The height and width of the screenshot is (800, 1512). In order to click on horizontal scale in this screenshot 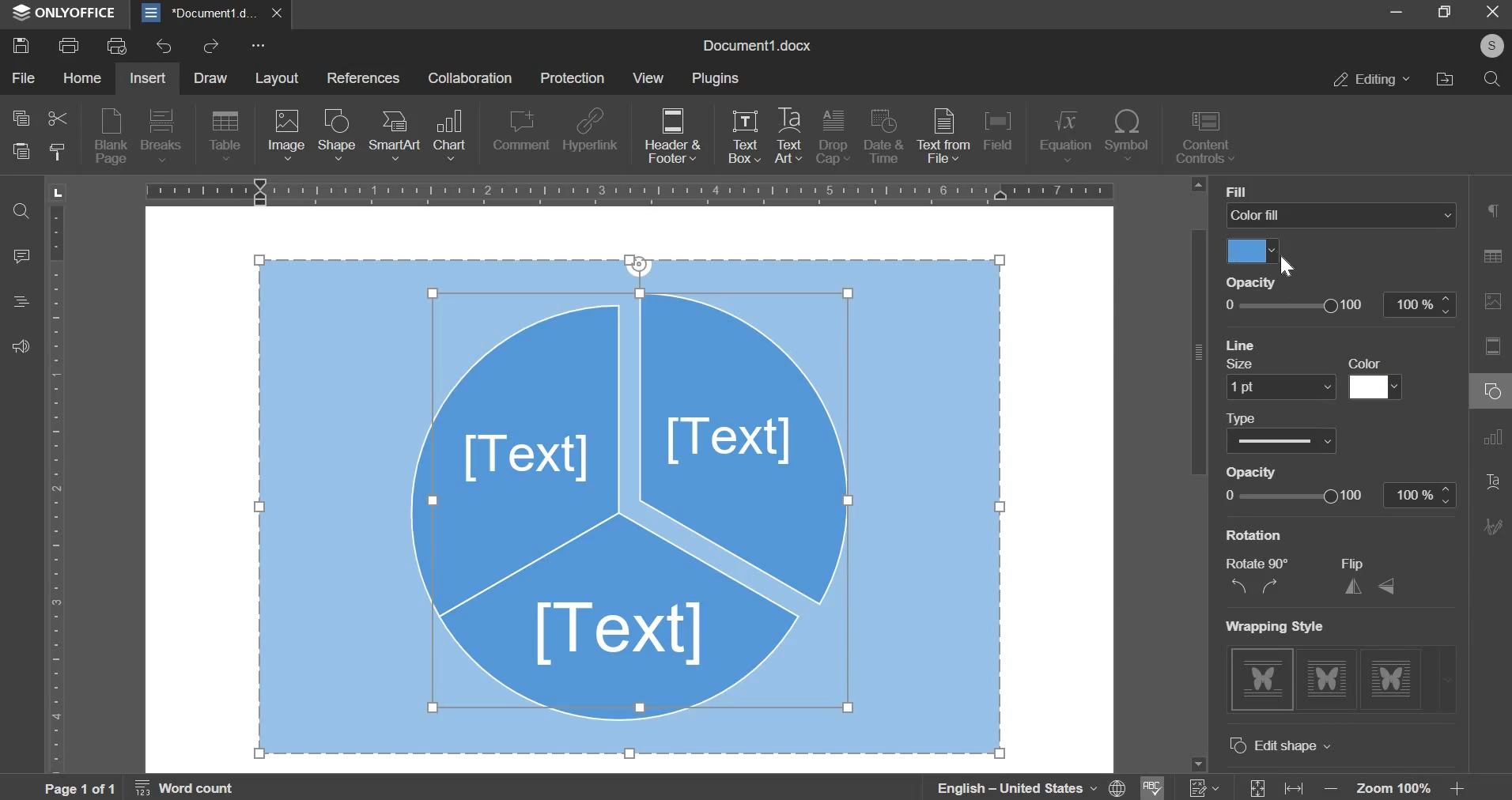, I will do `click(631, 190)`.